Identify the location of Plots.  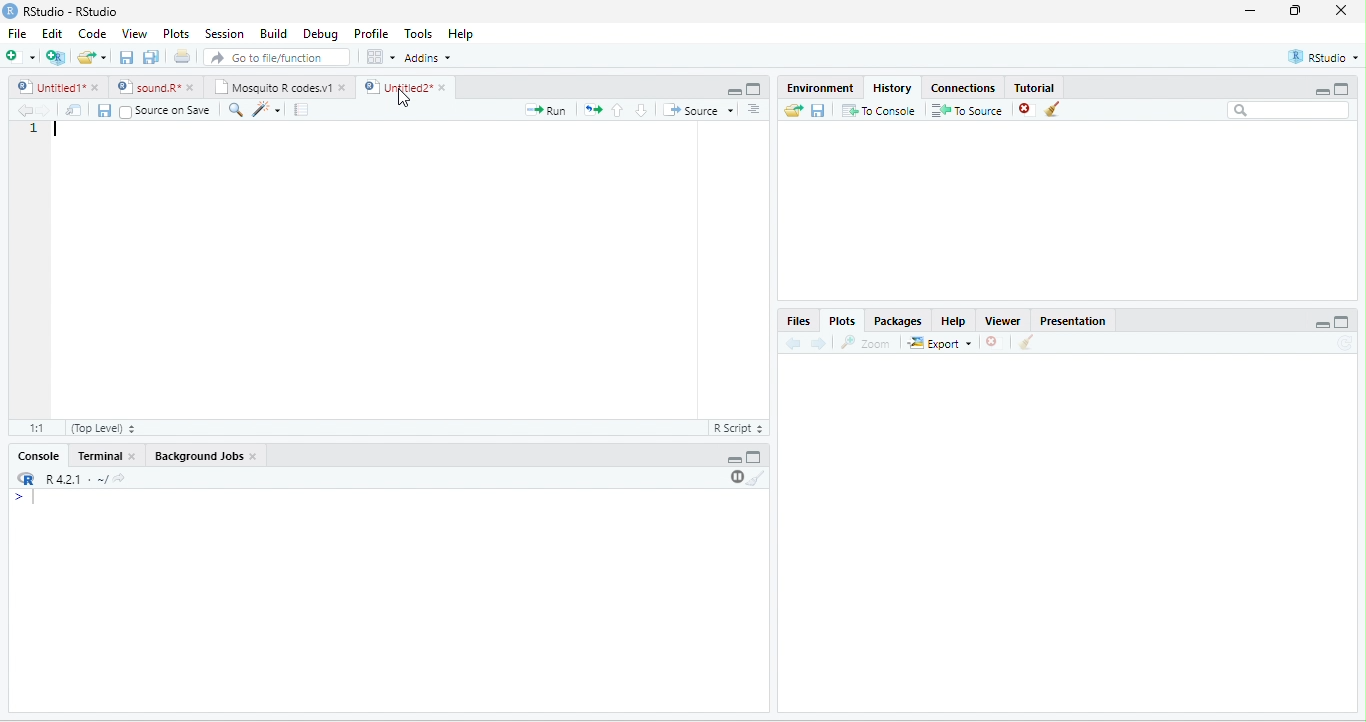
(176, 34).